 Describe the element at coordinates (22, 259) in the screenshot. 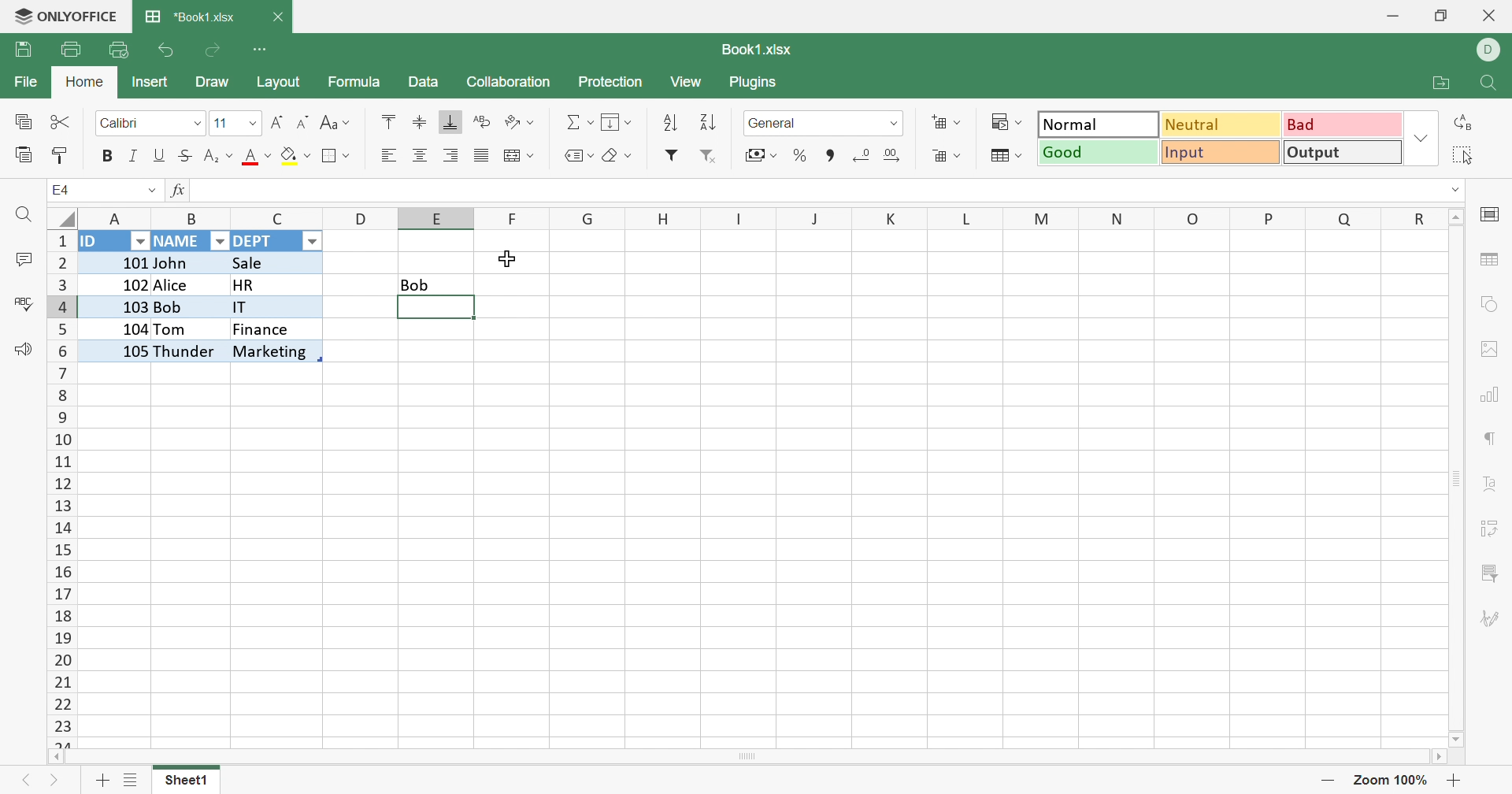

I see `Comments` at that location.